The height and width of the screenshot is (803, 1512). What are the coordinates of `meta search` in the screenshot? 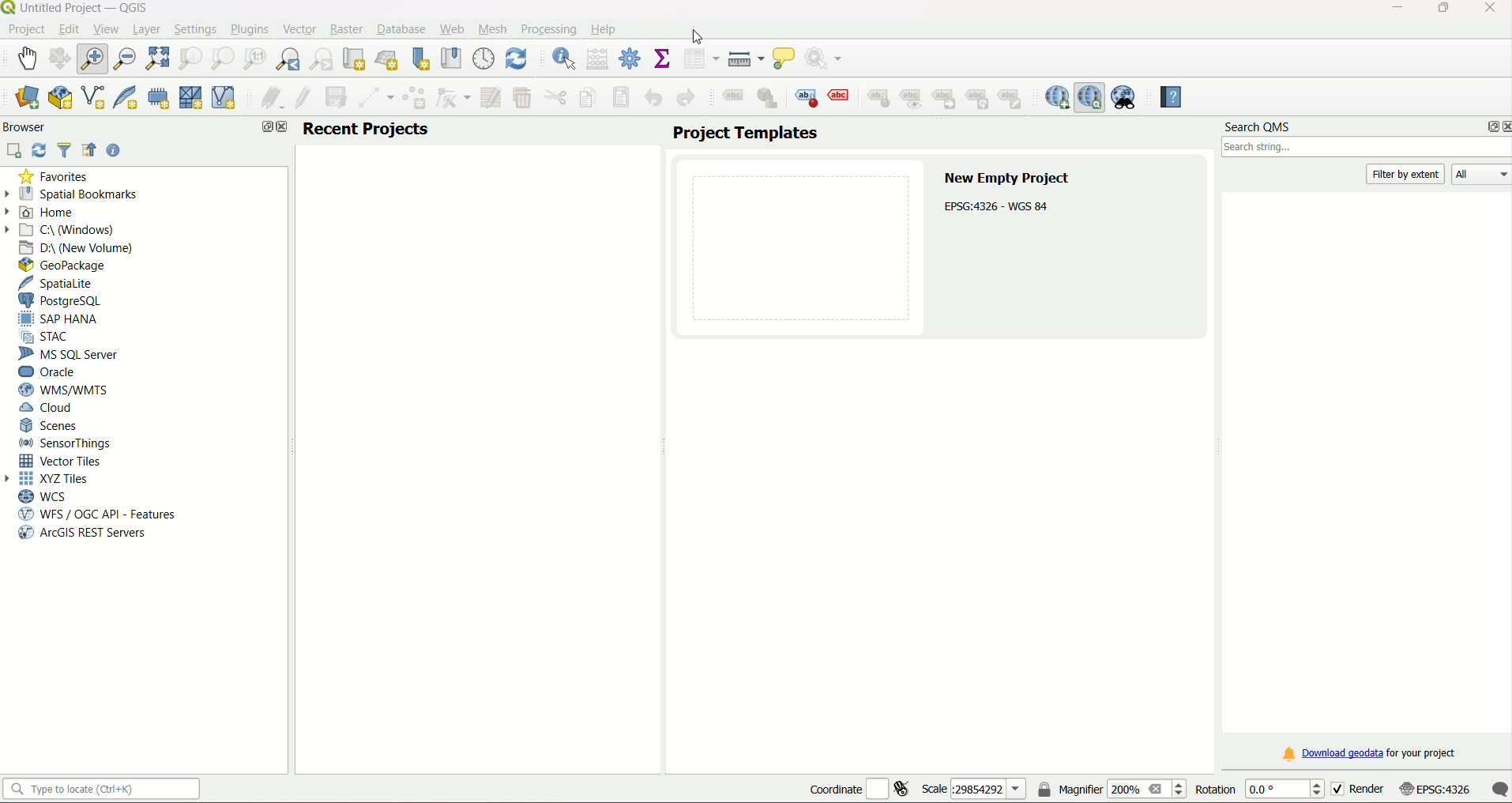 It's located at (1125, 97).